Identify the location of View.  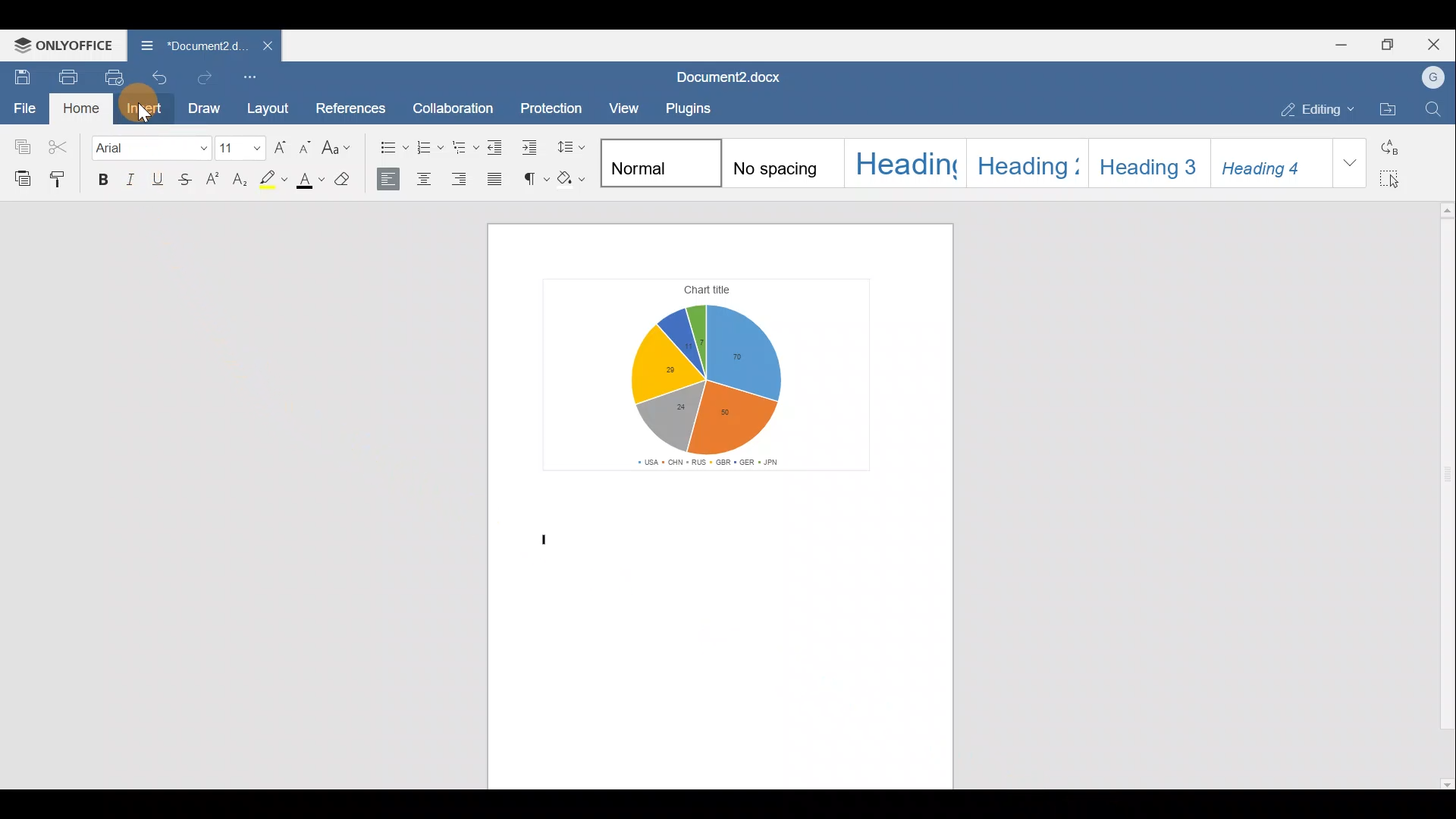
(619, 109).